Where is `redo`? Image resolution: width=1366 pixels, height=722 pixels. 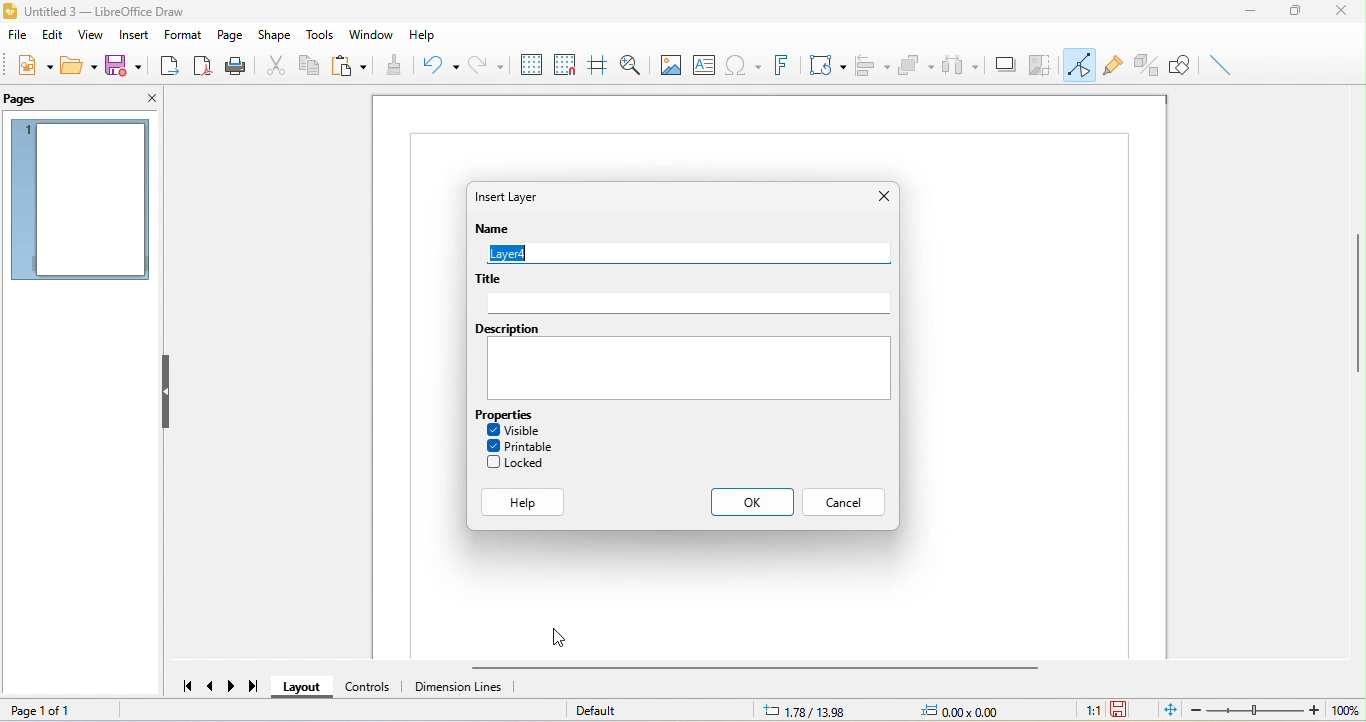 redo is located at coordinates (485, 63).